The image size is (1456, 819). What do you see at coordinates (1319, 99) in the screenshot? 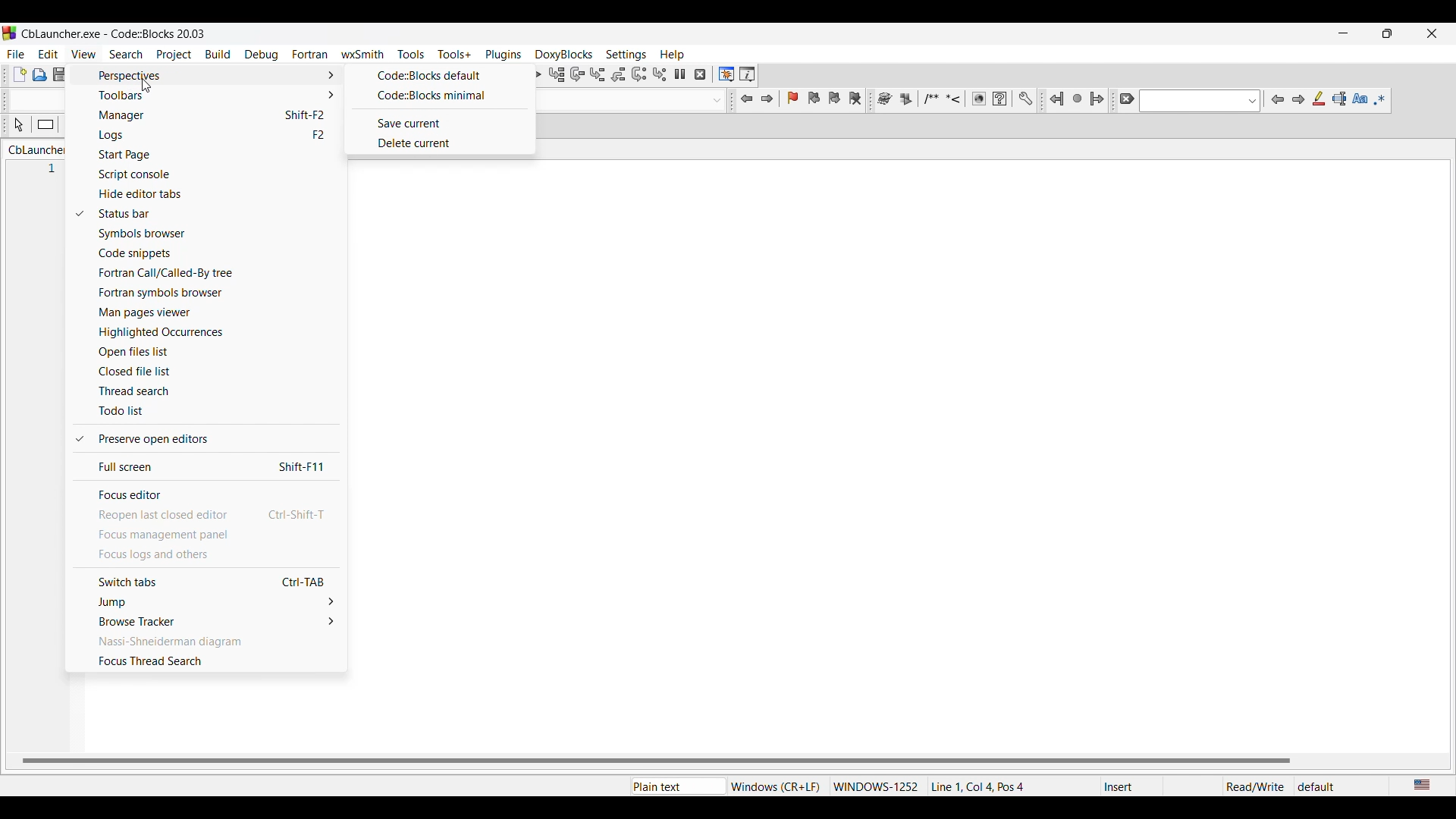
I see `Highlight` at bounding box center [1319, 99].